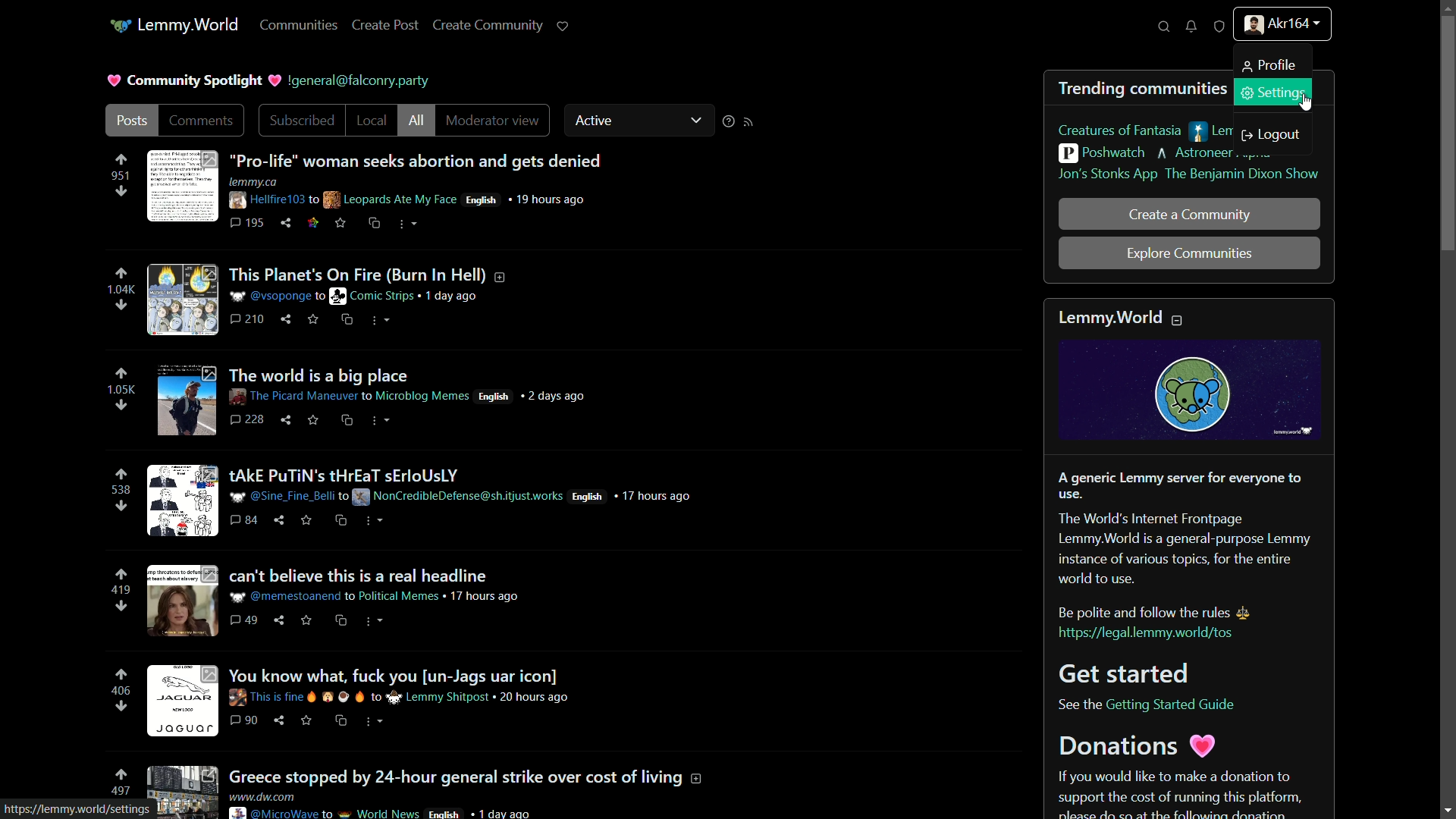 This screenshot has width=1456, height=819. I want to click on Heart logo, so click(274, 80).